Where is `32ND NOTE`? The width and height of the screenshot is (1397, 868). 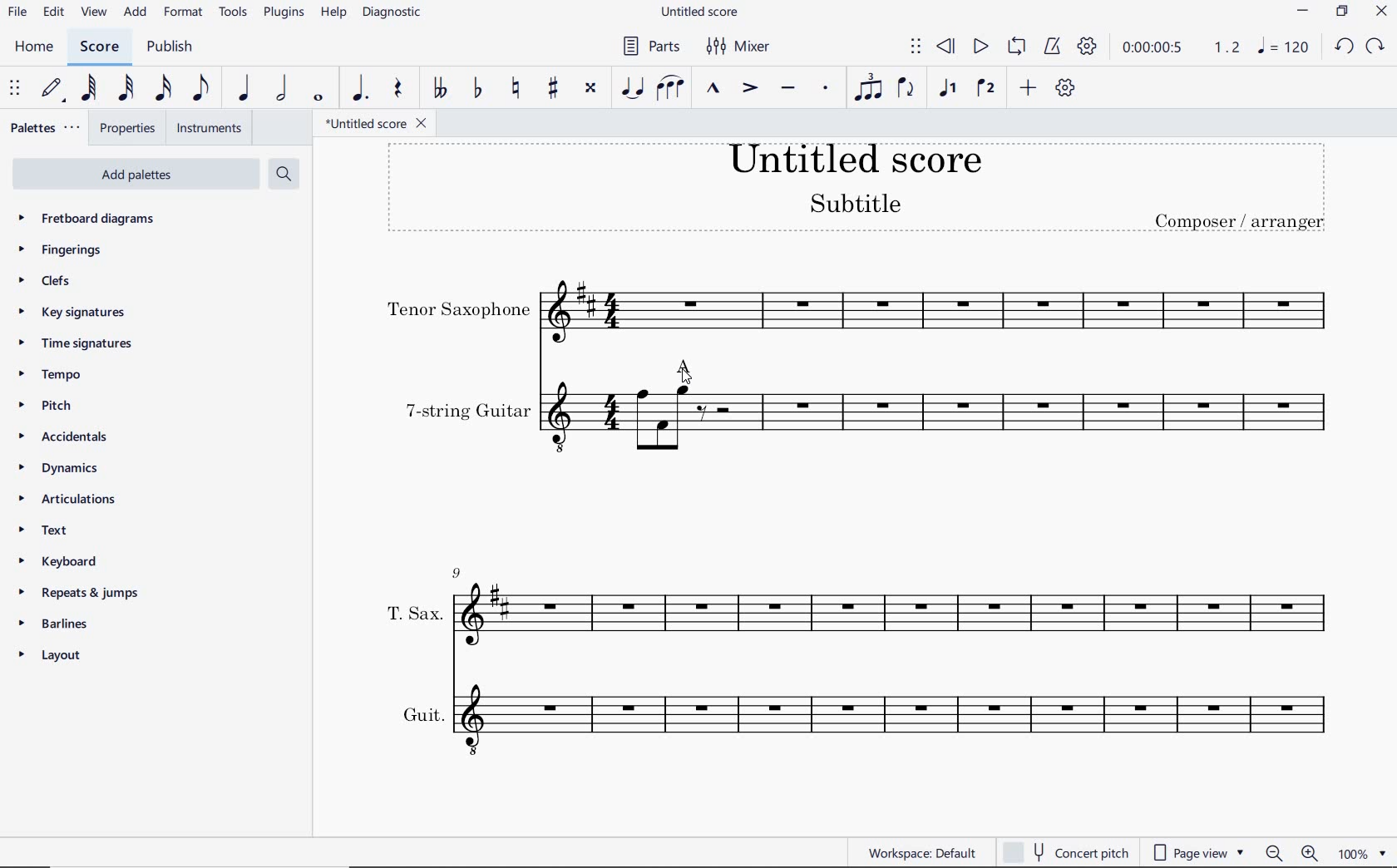 32ND NOTE is located at coordinates (126, 89).